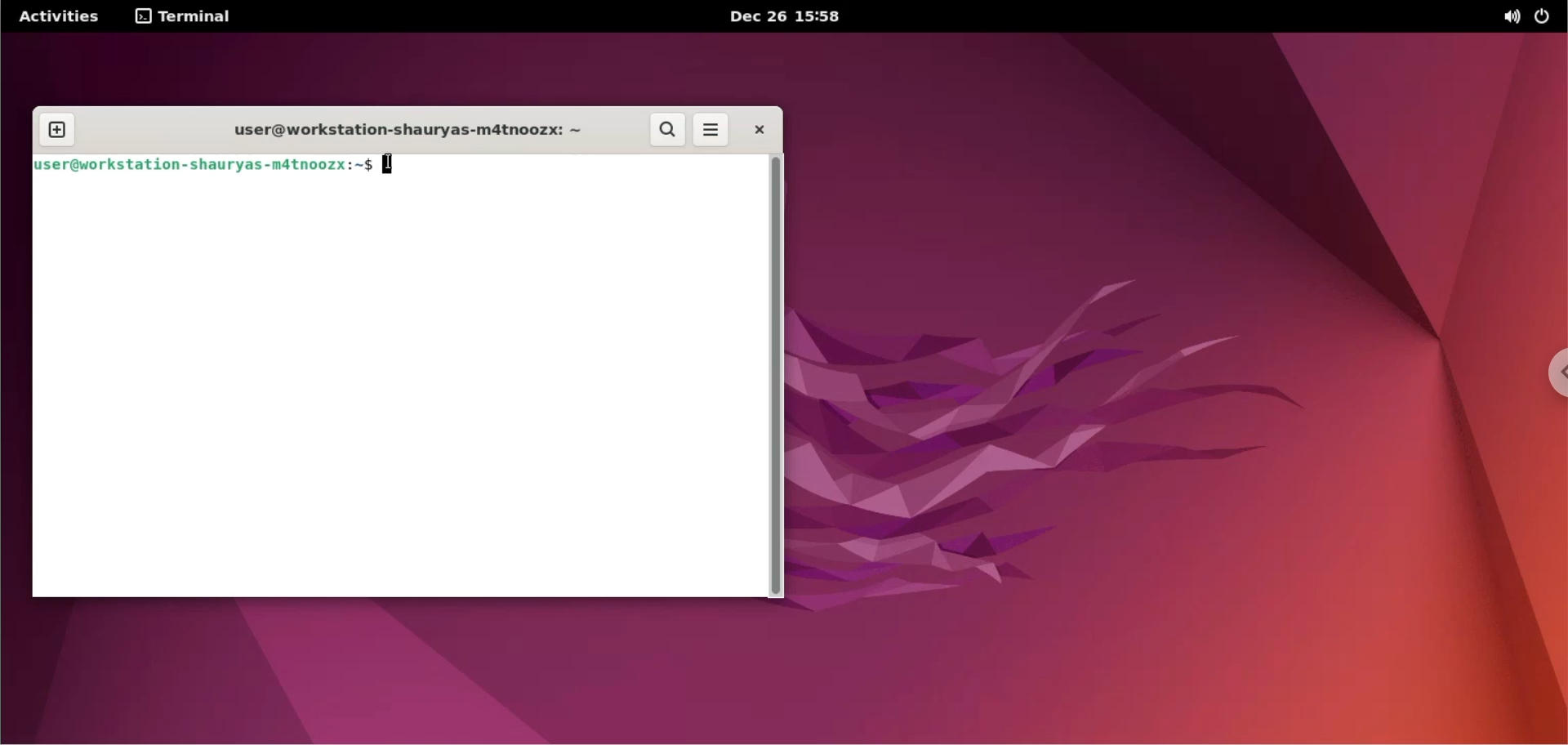  Describe the element at coordinates (709, 131) in the screenshot. I see `more options` at that location.